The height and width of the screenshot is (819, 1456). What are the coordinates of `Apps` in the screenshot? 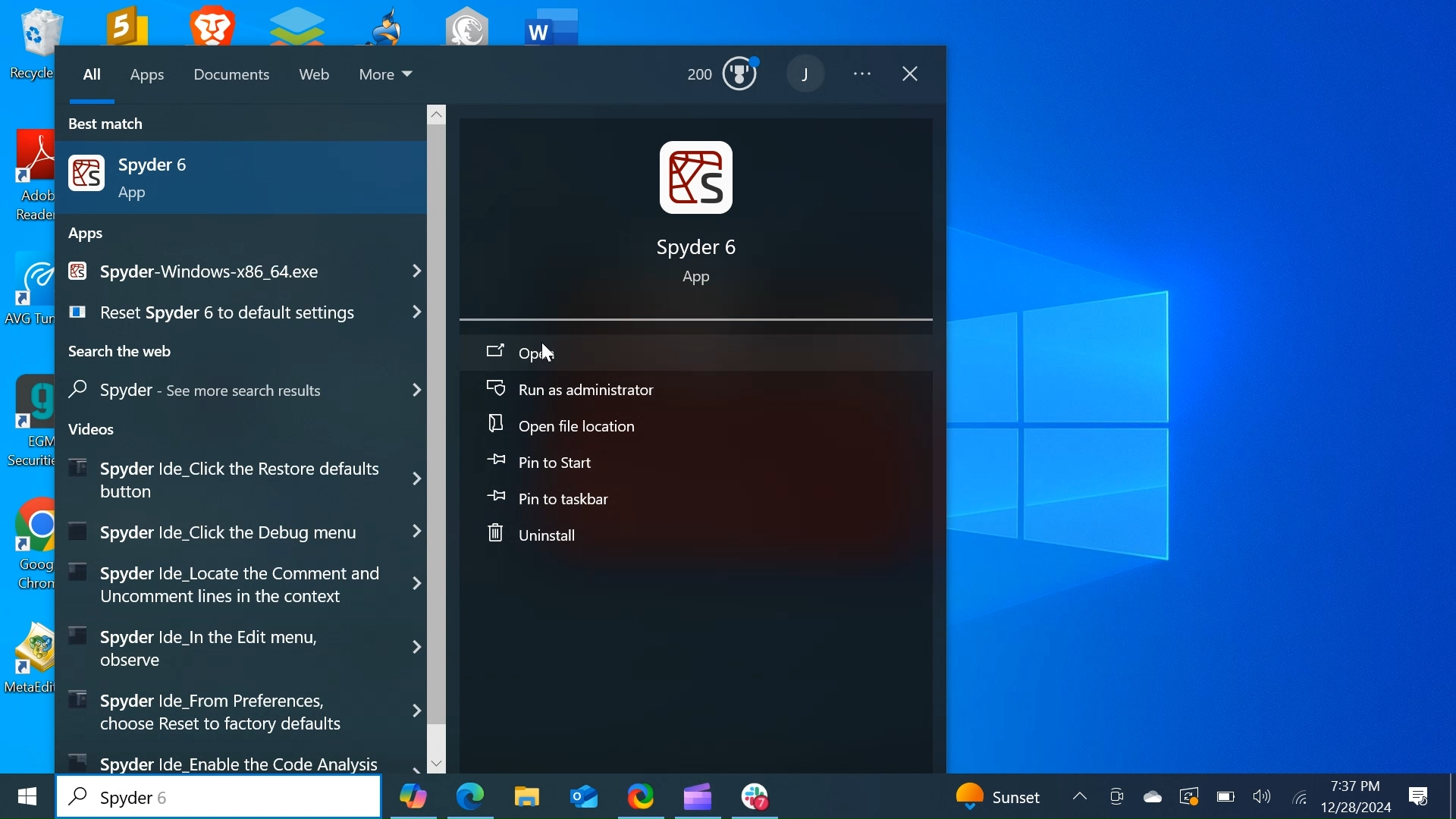 It's located at (89, 234).